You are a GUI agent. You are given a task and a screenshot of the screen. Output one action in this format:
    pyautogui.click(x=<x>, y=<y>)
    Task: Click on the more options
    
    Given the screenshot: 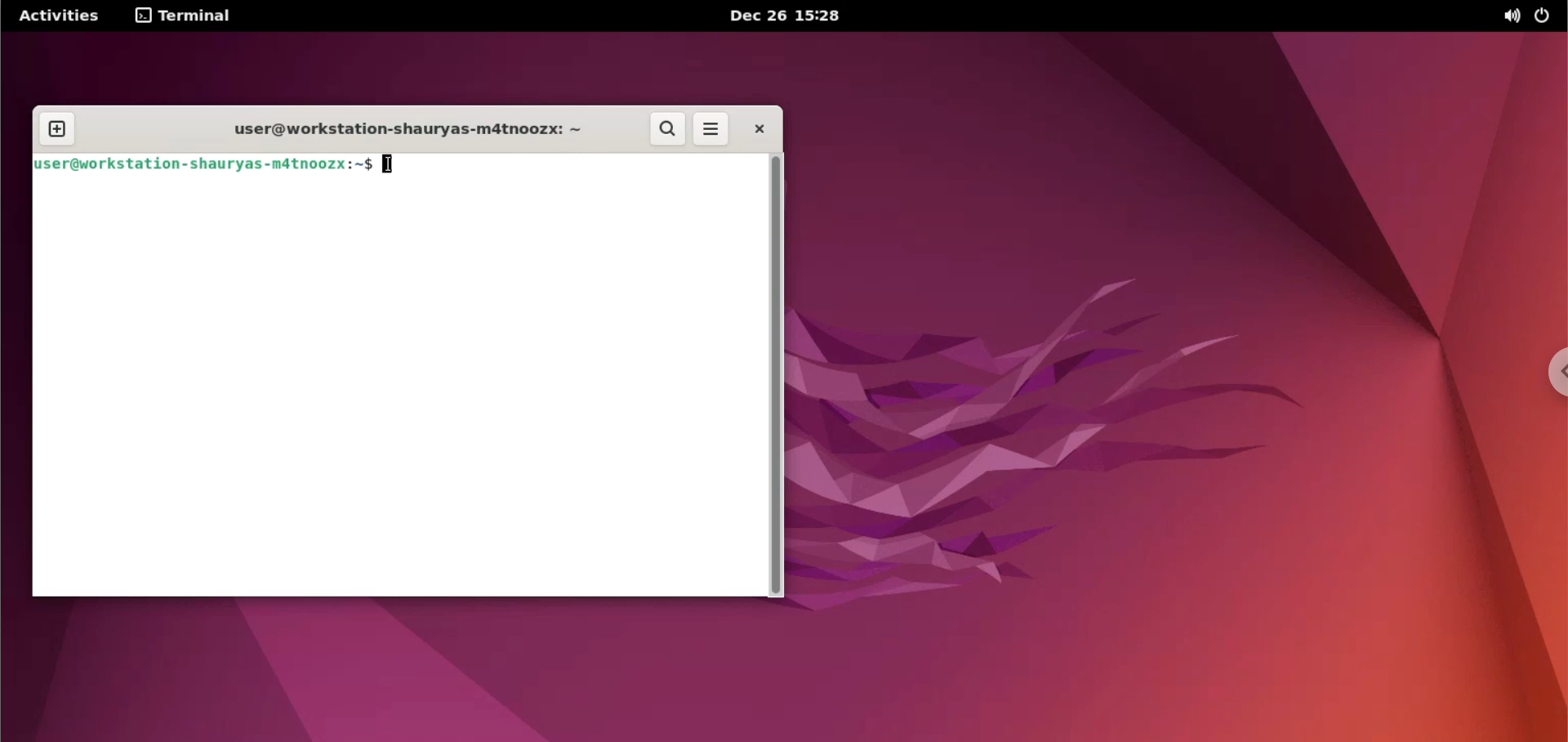 What is the action you would take?
    pyautogui.click(x=712, y=127)
    